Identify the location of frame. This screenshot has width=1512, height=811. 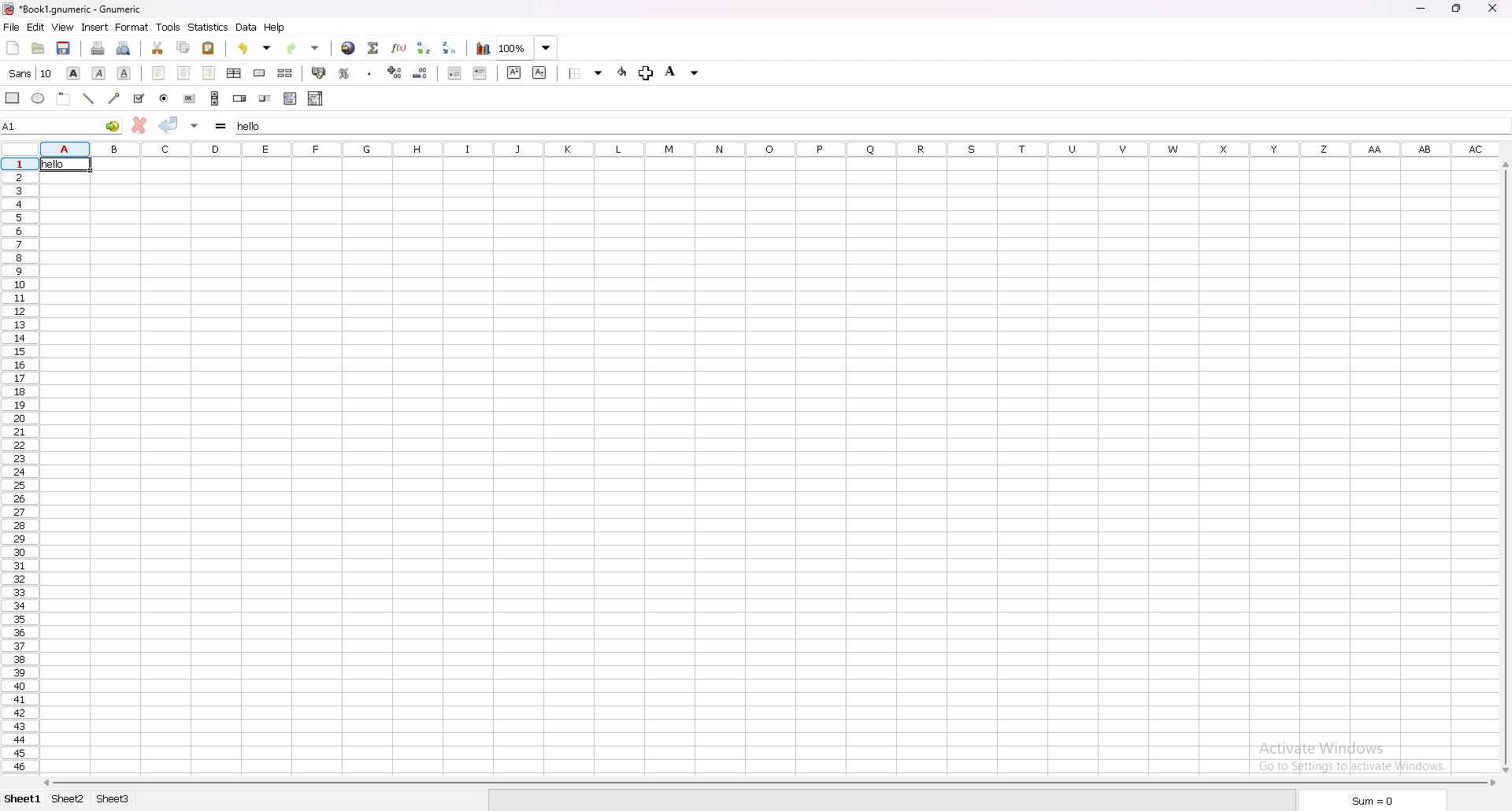
(64, 98).